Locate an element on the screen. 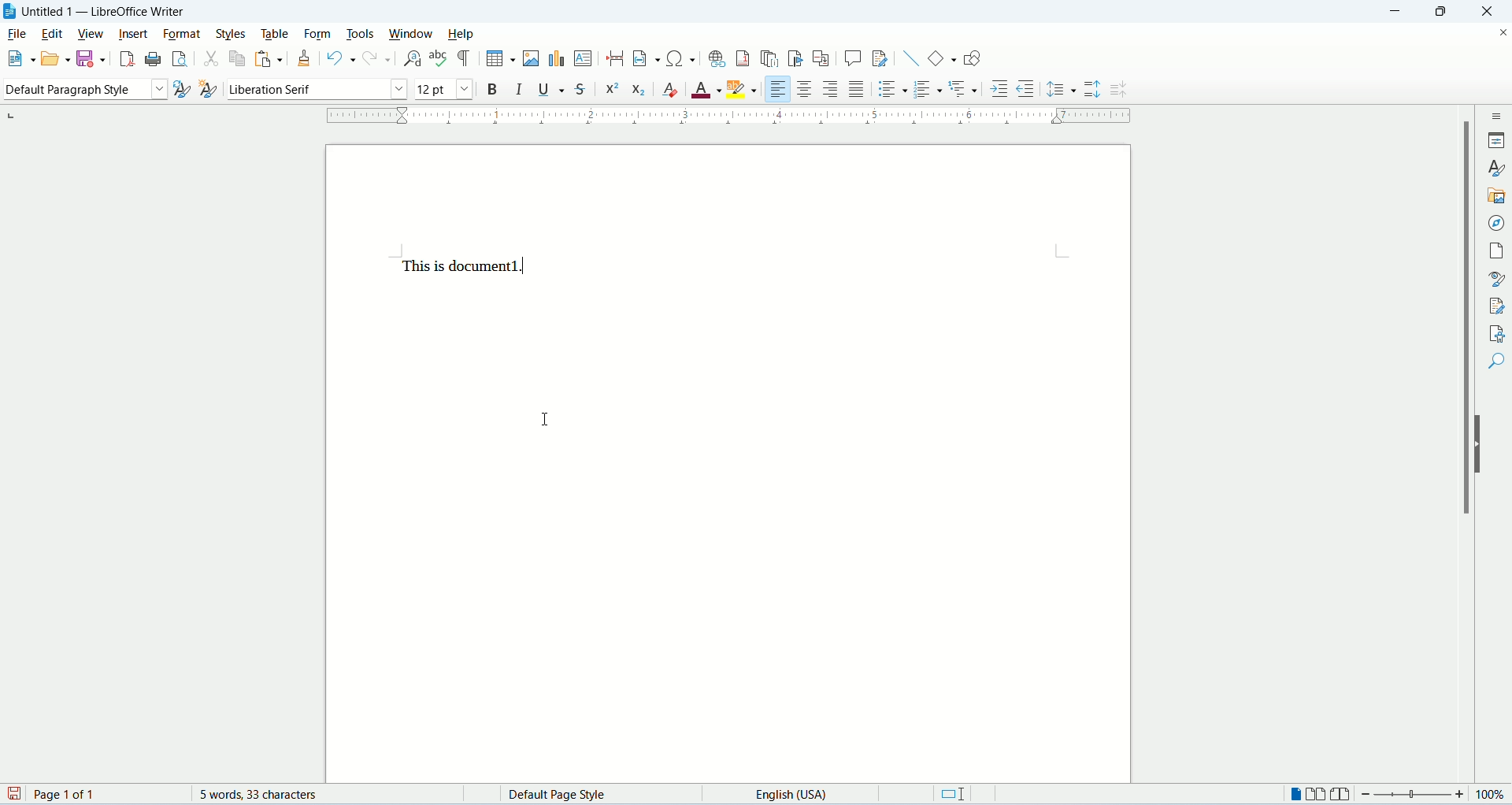 The image size is (1512, 805). align right is located at coordinates (831, 90).